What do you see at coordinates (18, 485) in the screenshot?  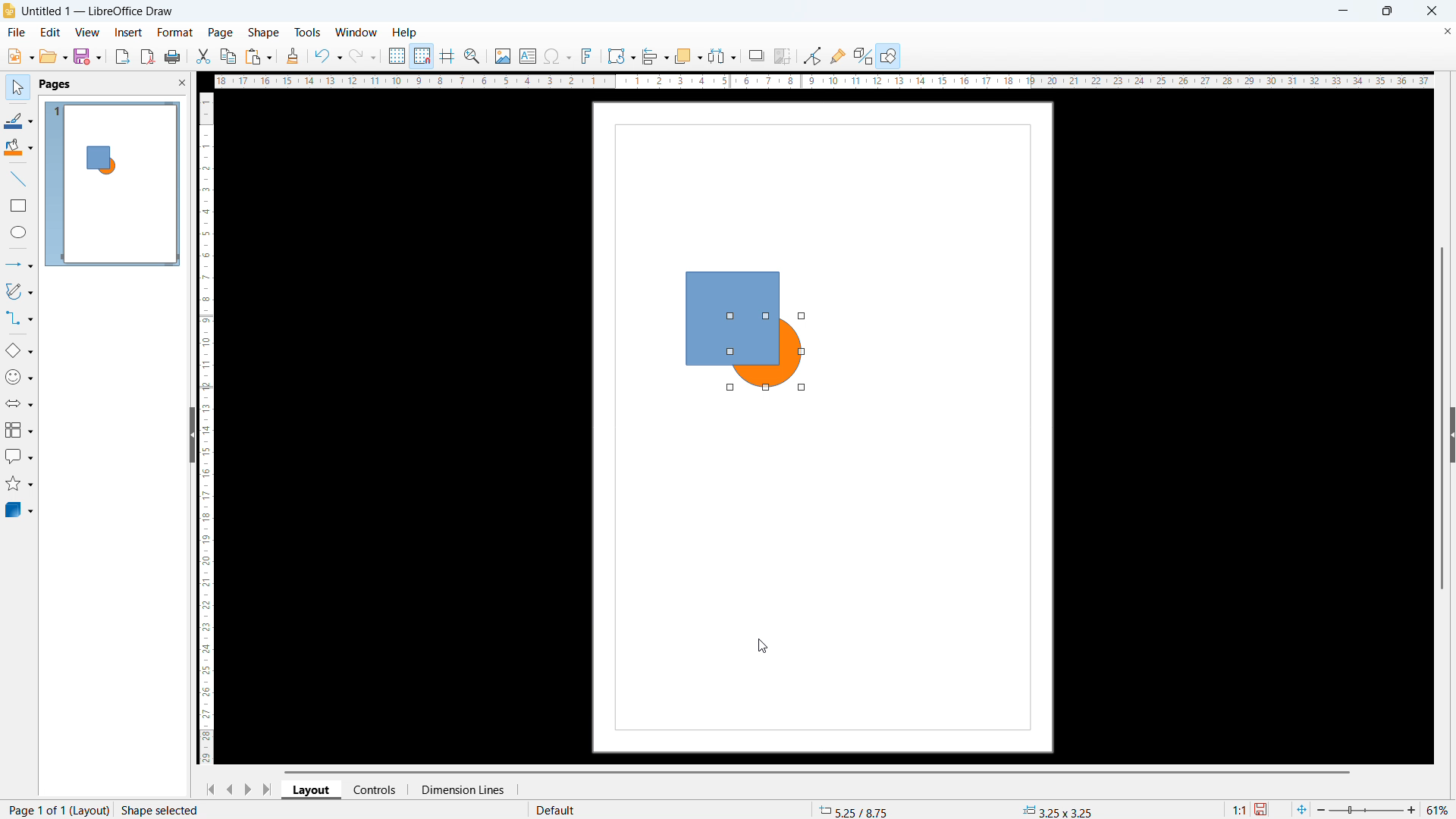 I see `Stars and banners ` at bounding box center [18, 485].